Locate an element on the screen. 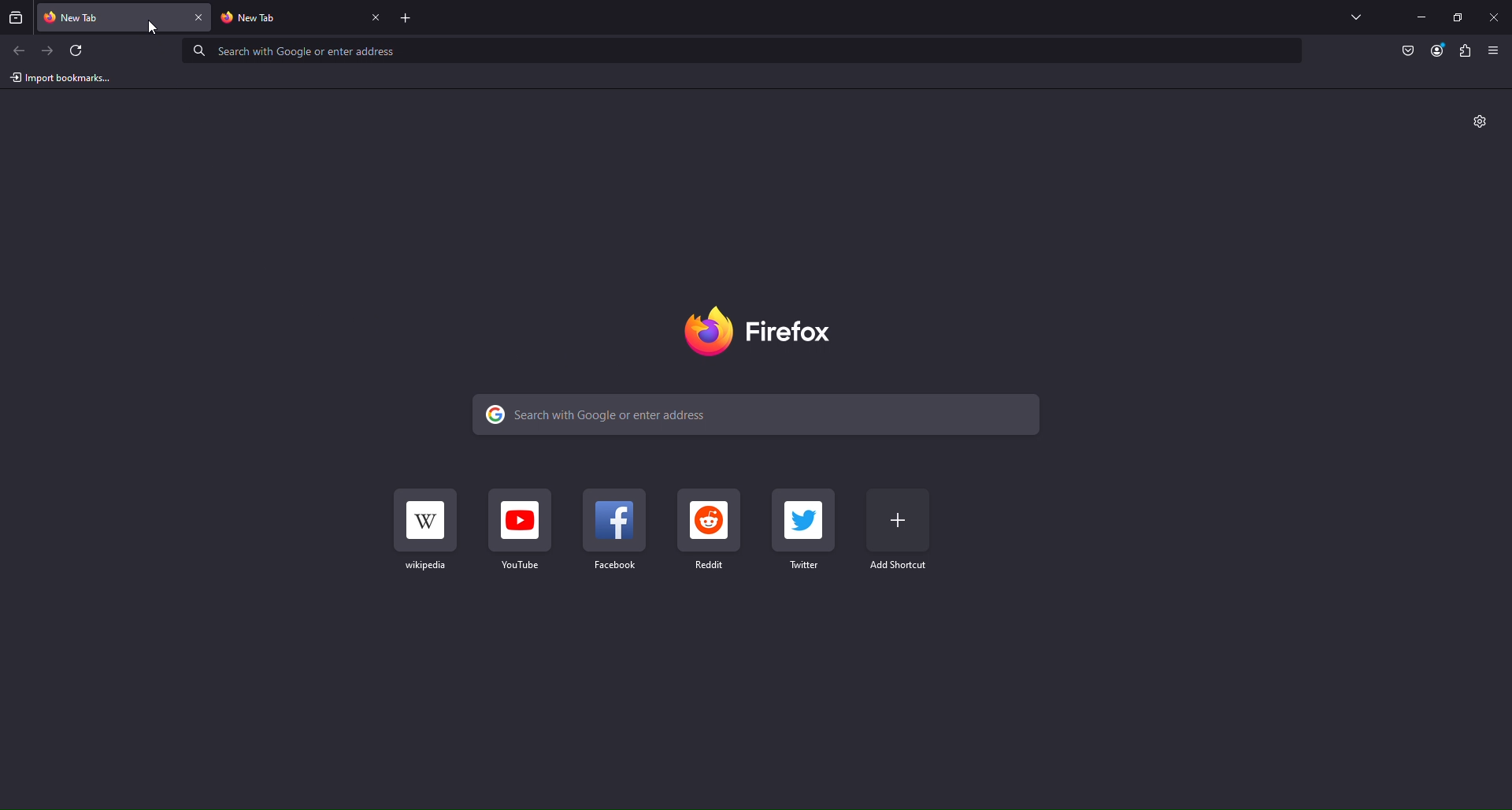 This screenshot has height=810, width=1512. Add Shortcut is located at coordinates (899, 530).